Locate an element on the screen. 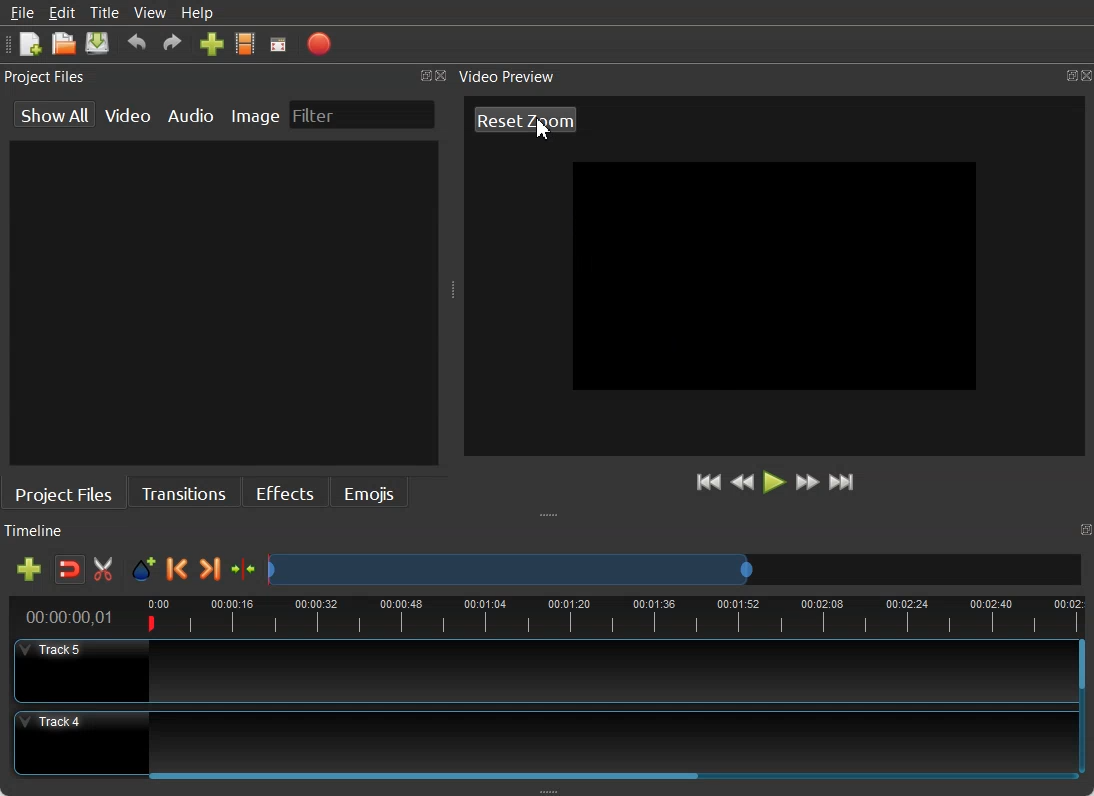  Import Files is located at coordinates (214, 44).